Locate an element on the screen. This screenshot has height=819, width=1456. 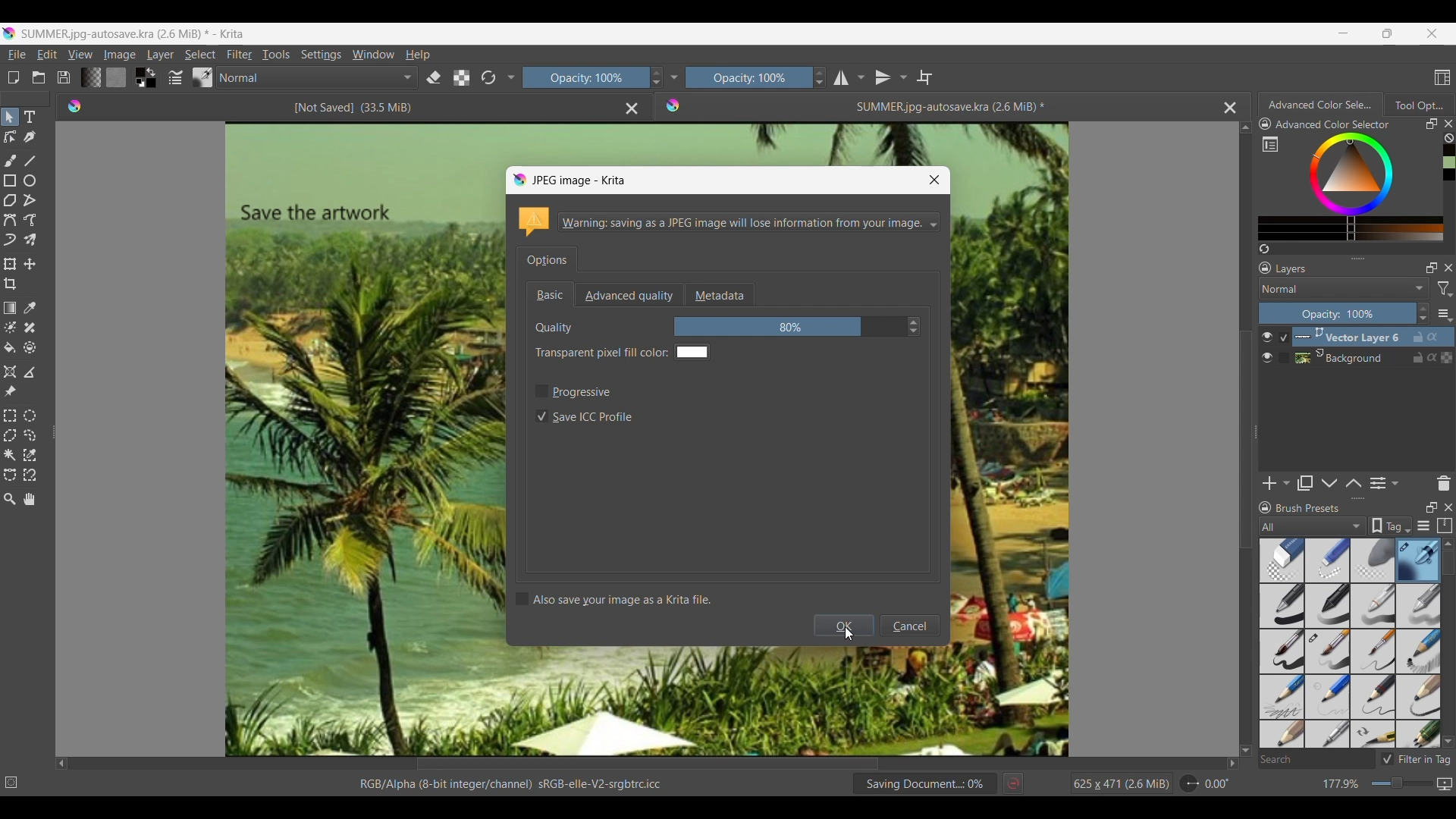
Similar color selection tool is located at coordinates (30, 454).